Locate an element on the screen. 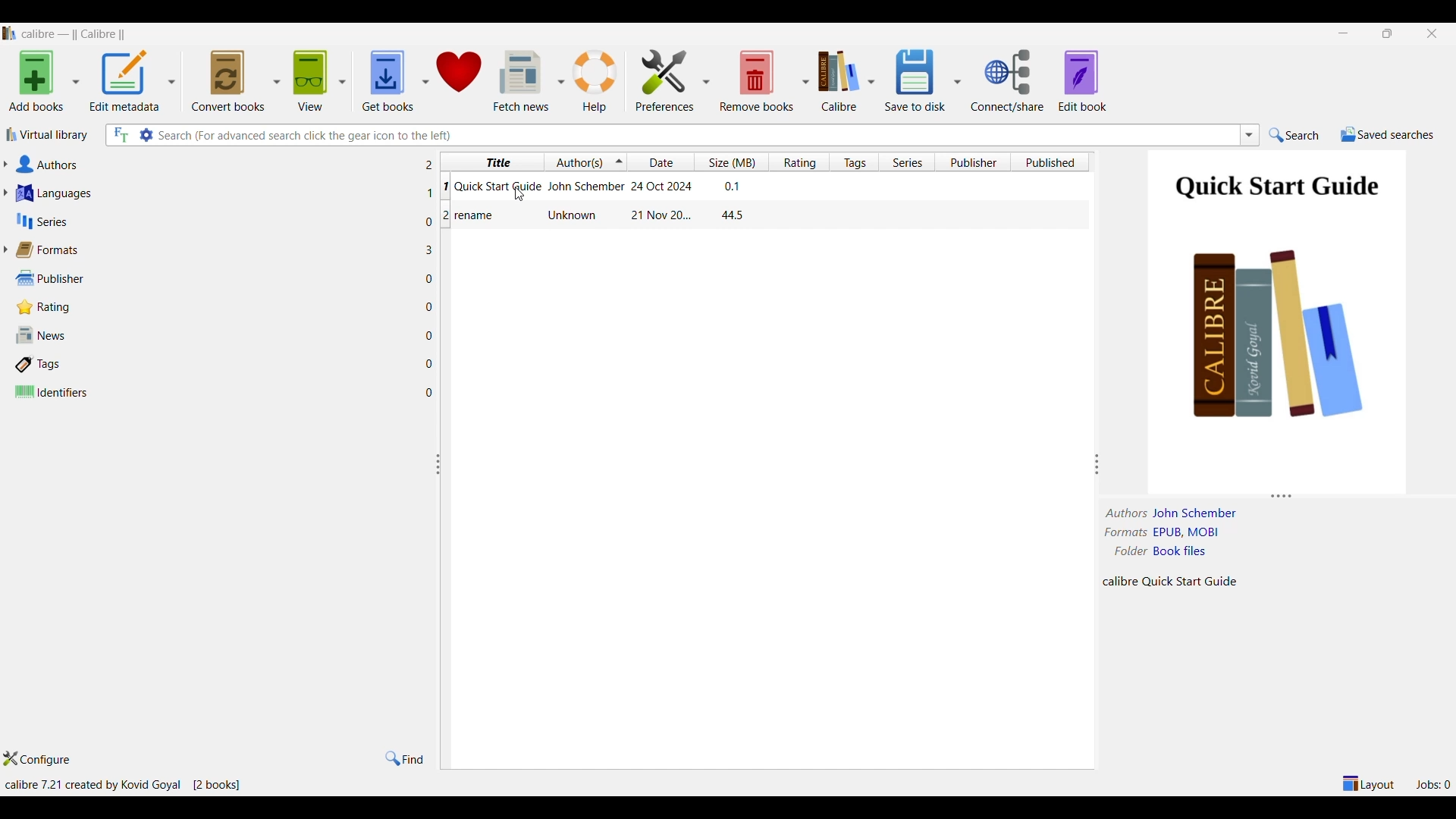 The image size is (1456, 819). Find is located at coordinates (404, 759).